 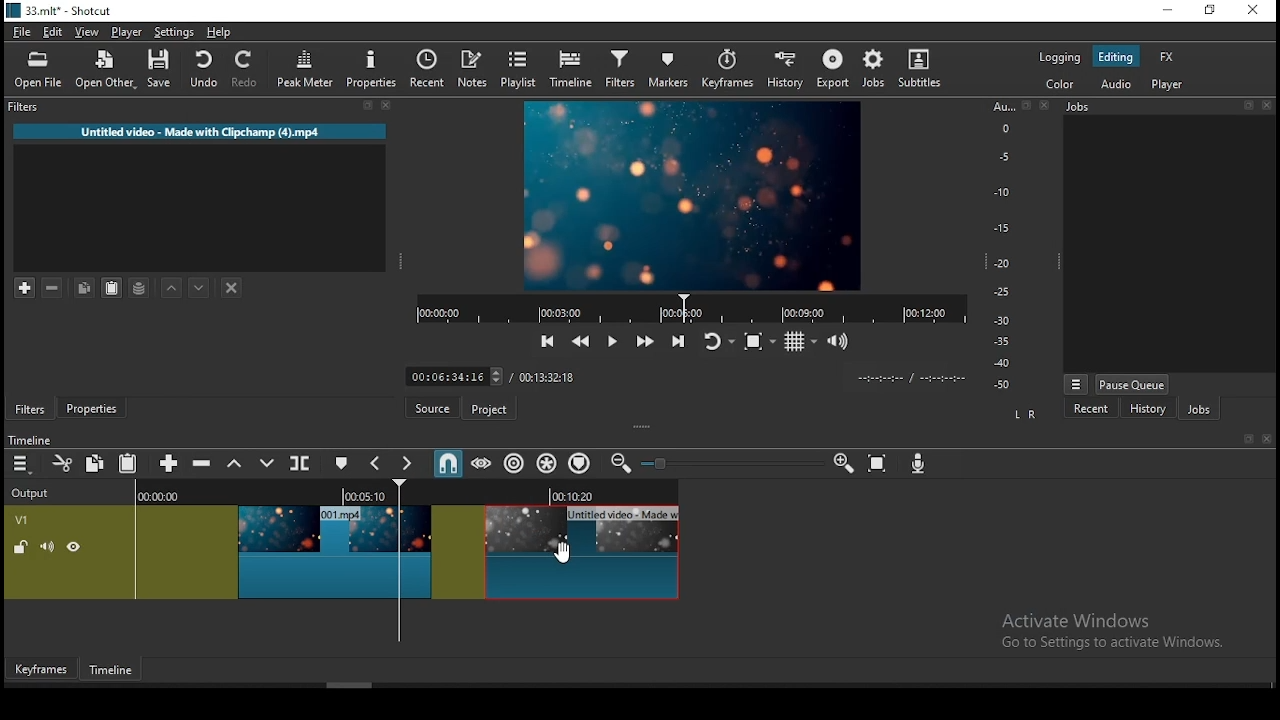 I want to click on cut, so click(x=63, y=463).